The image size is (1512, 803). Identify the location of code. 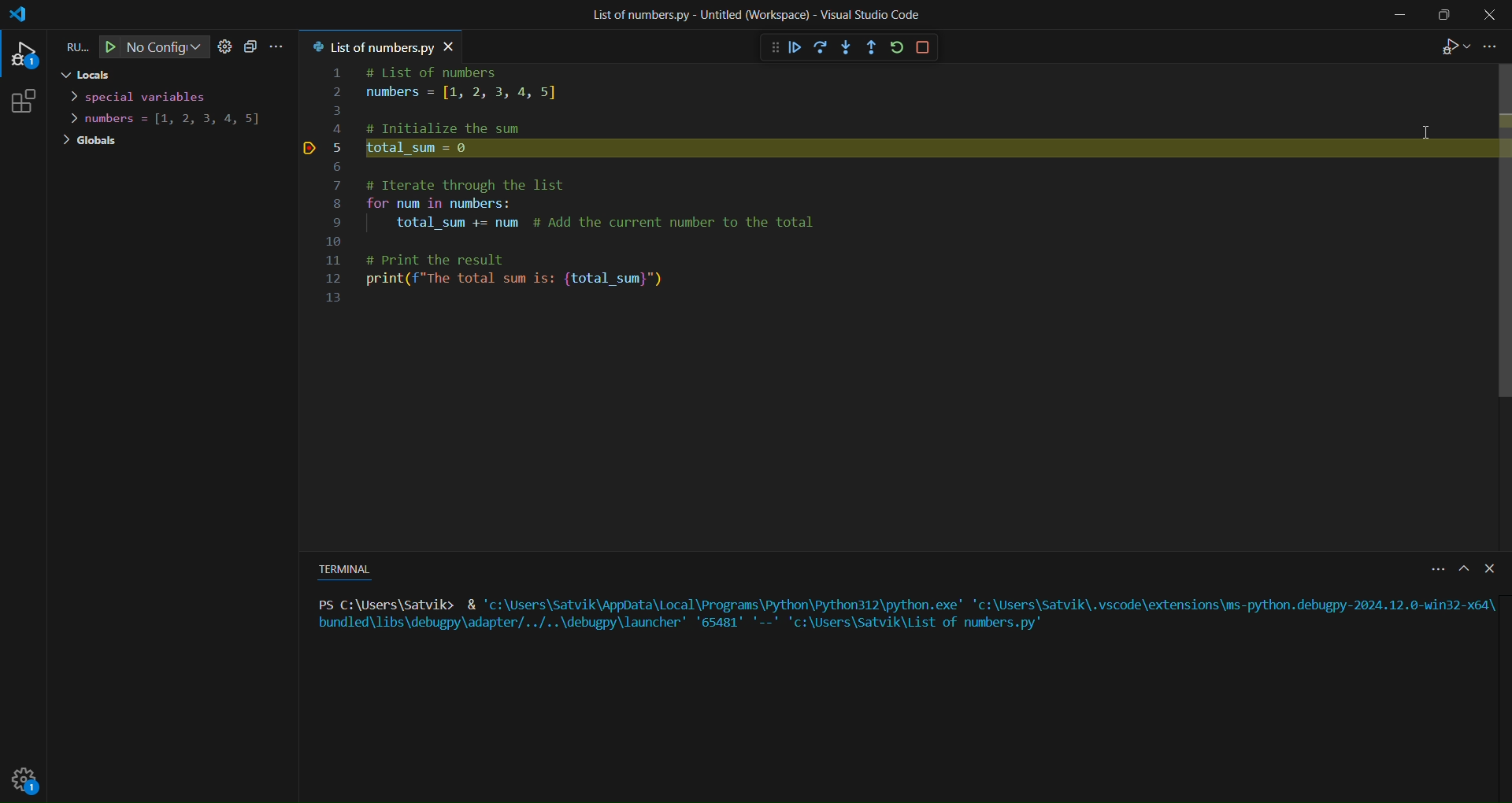
(484, 101).